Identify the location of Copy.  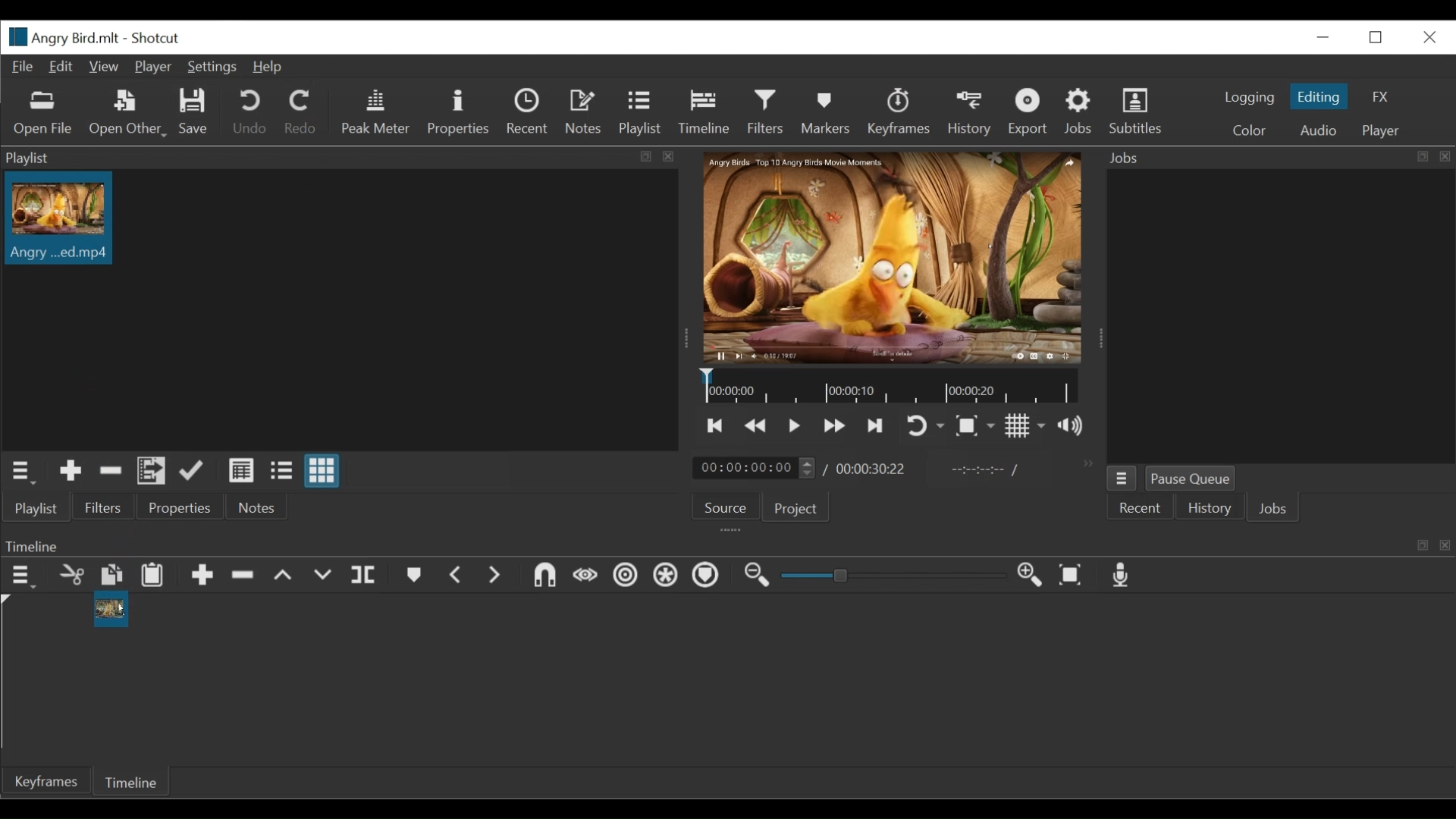
(111, 576).